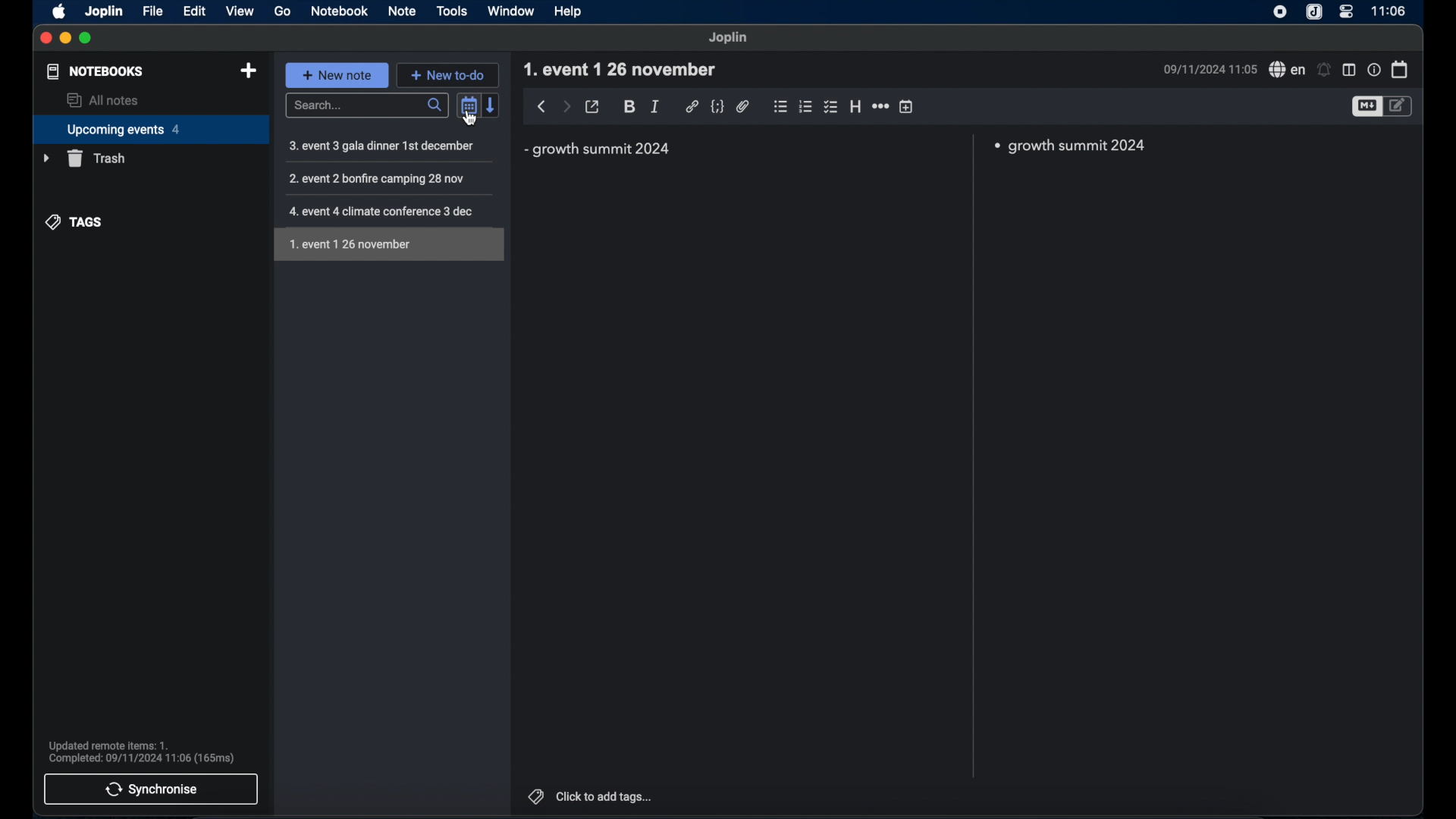 The height and width of the screenshot is (819, 1456). I want to click on numbered list, so click(806, 107).